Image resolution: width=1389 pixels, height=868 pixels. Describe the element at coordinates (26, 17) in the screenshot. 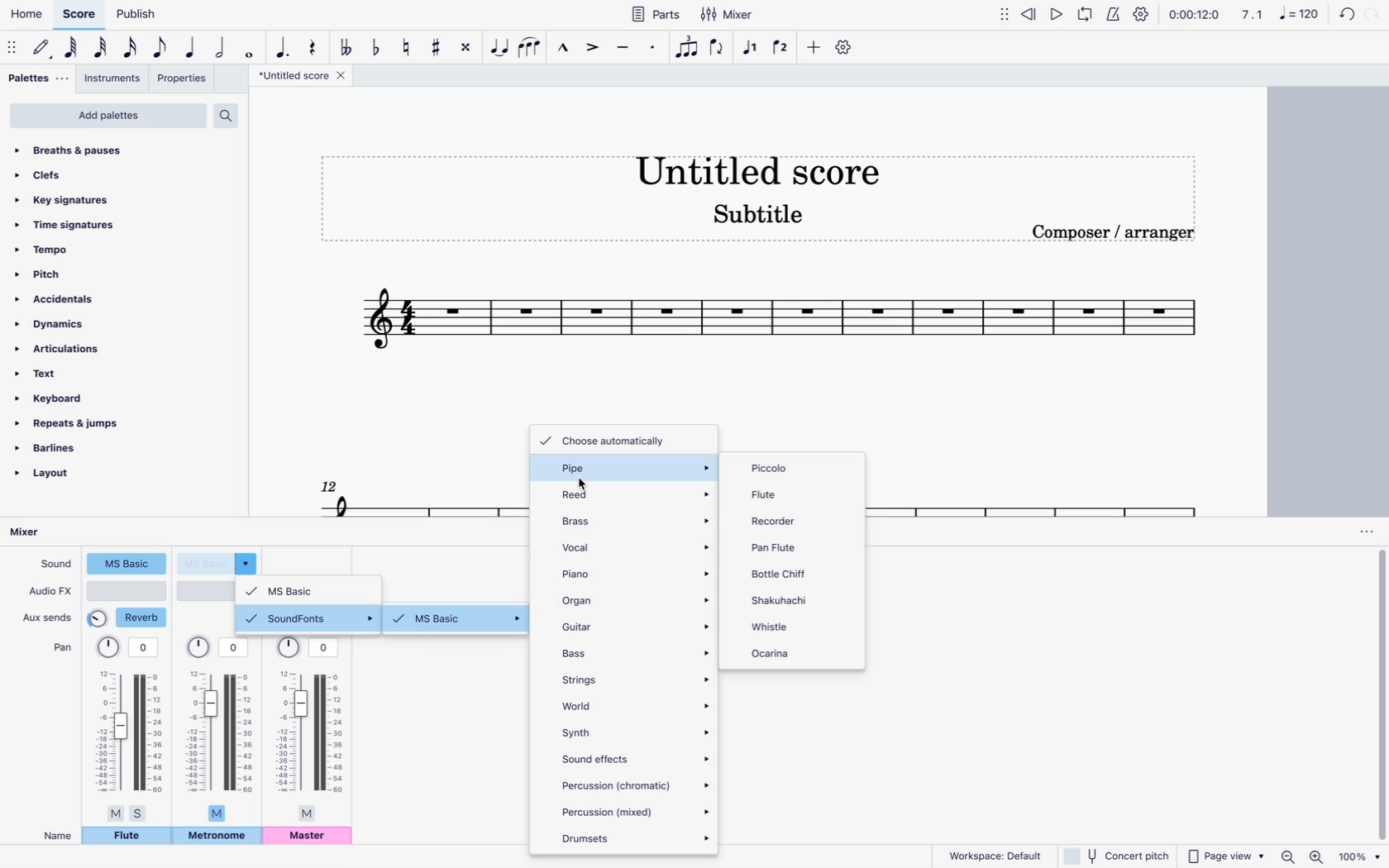

I see `home` at that location.